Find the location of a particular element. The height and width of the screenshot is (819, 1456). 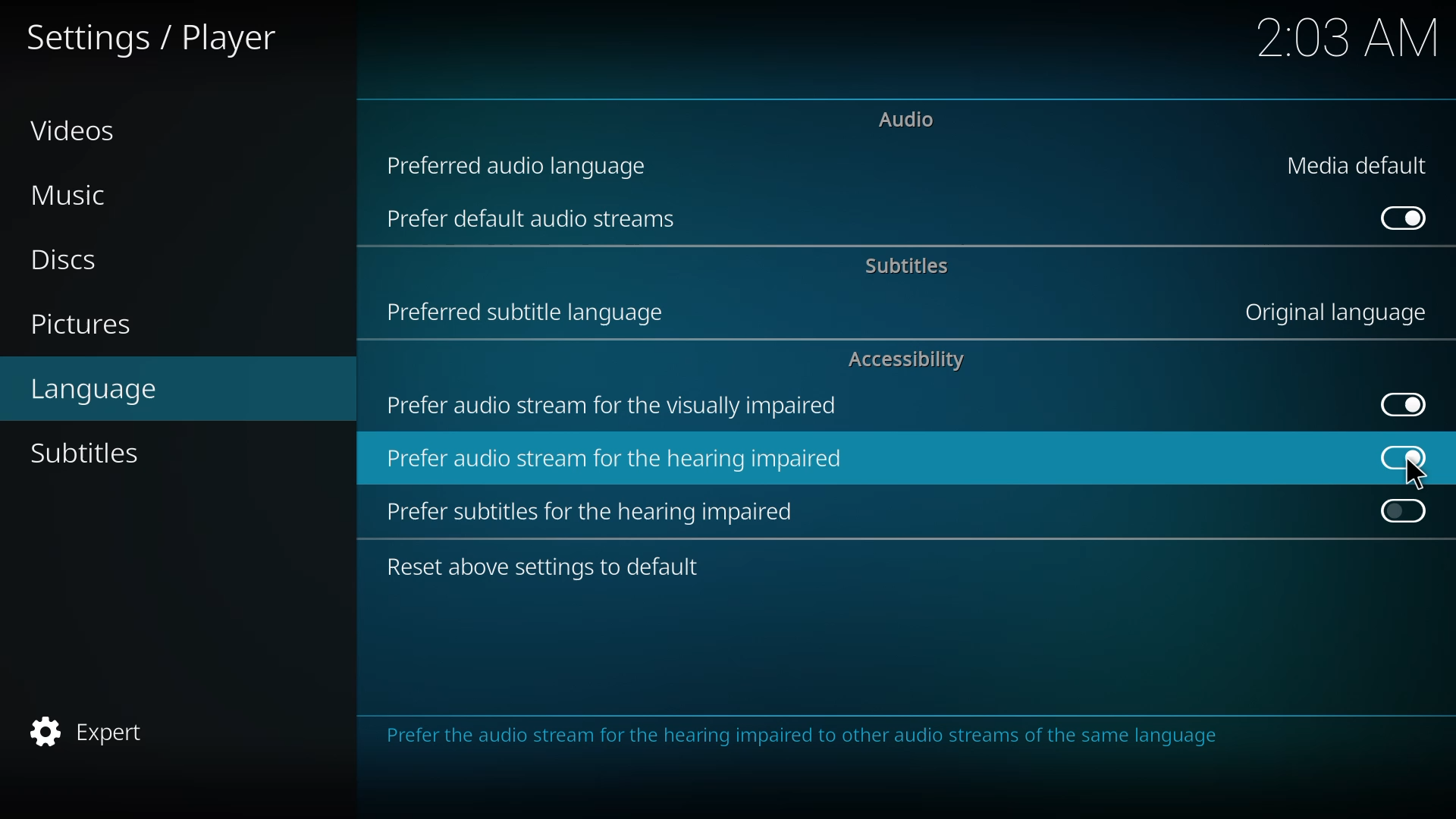

pictures is located at coordinates (87, 323).